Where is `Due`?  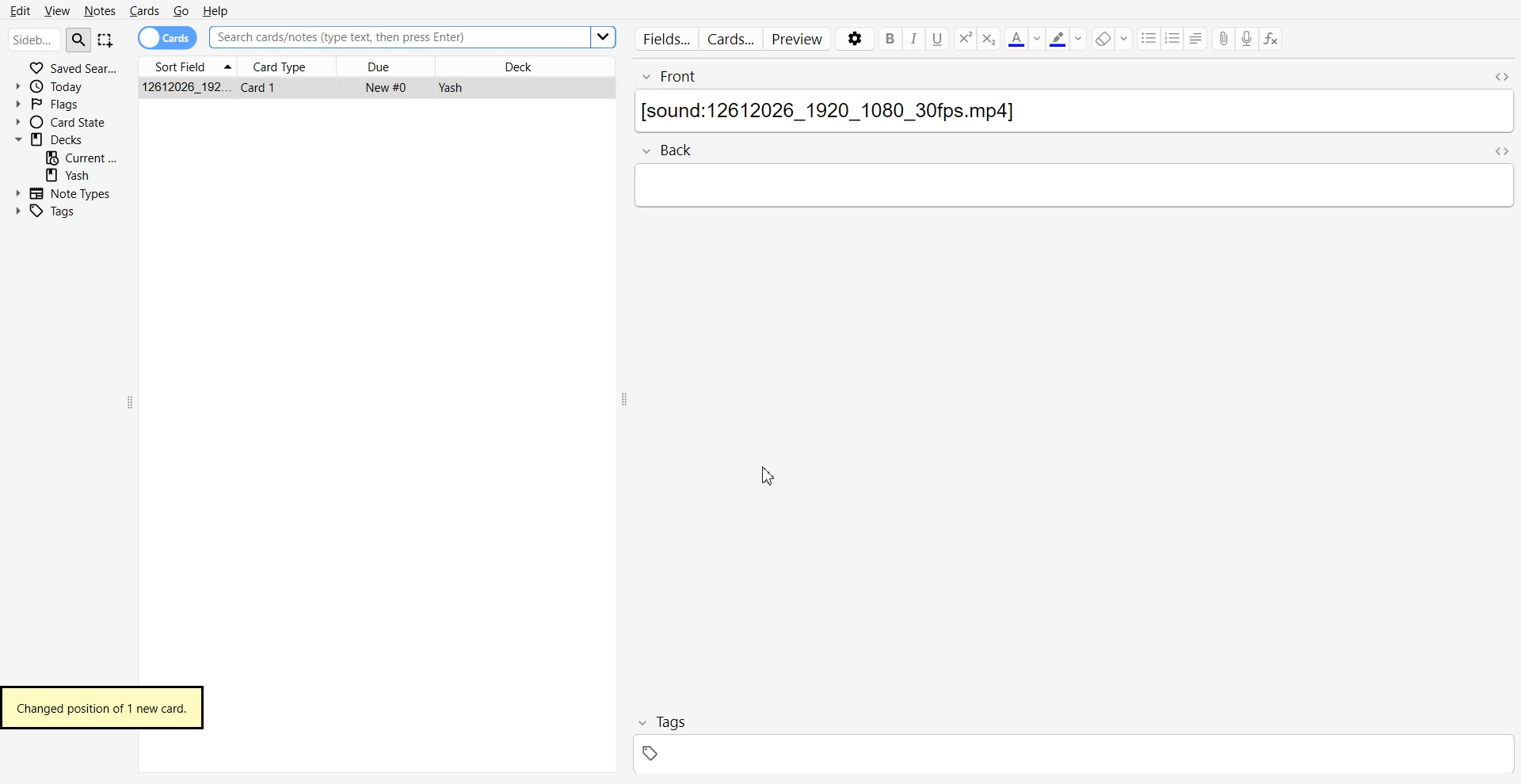 Due is located at coordinates (395, 66).